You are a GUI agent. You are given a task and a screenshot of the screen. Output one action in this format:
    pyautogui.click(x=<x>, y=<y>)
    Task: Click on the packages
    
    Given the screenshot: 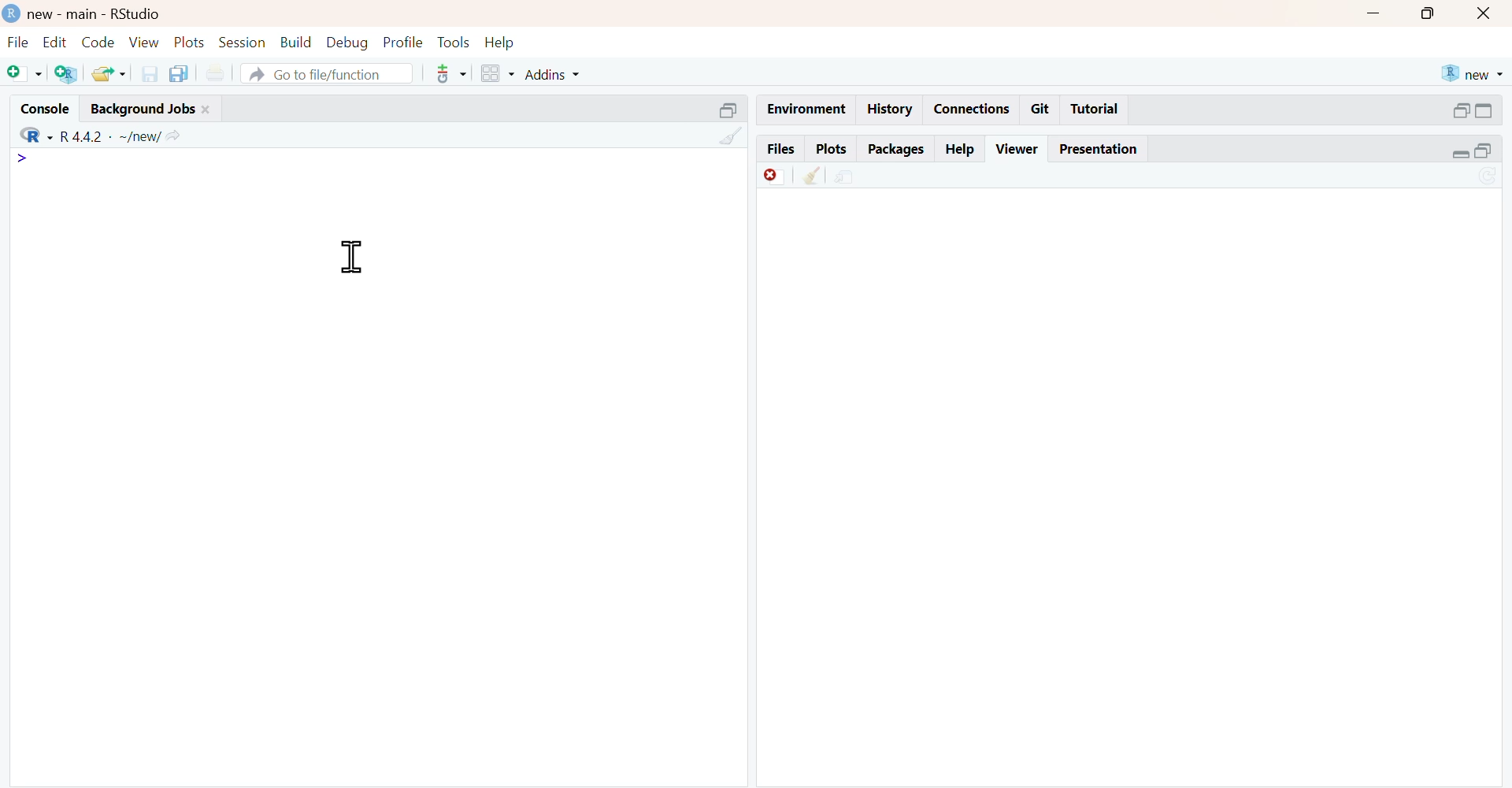 What is the action you would take?
    pyautogui.click(x=898, y=150)
    